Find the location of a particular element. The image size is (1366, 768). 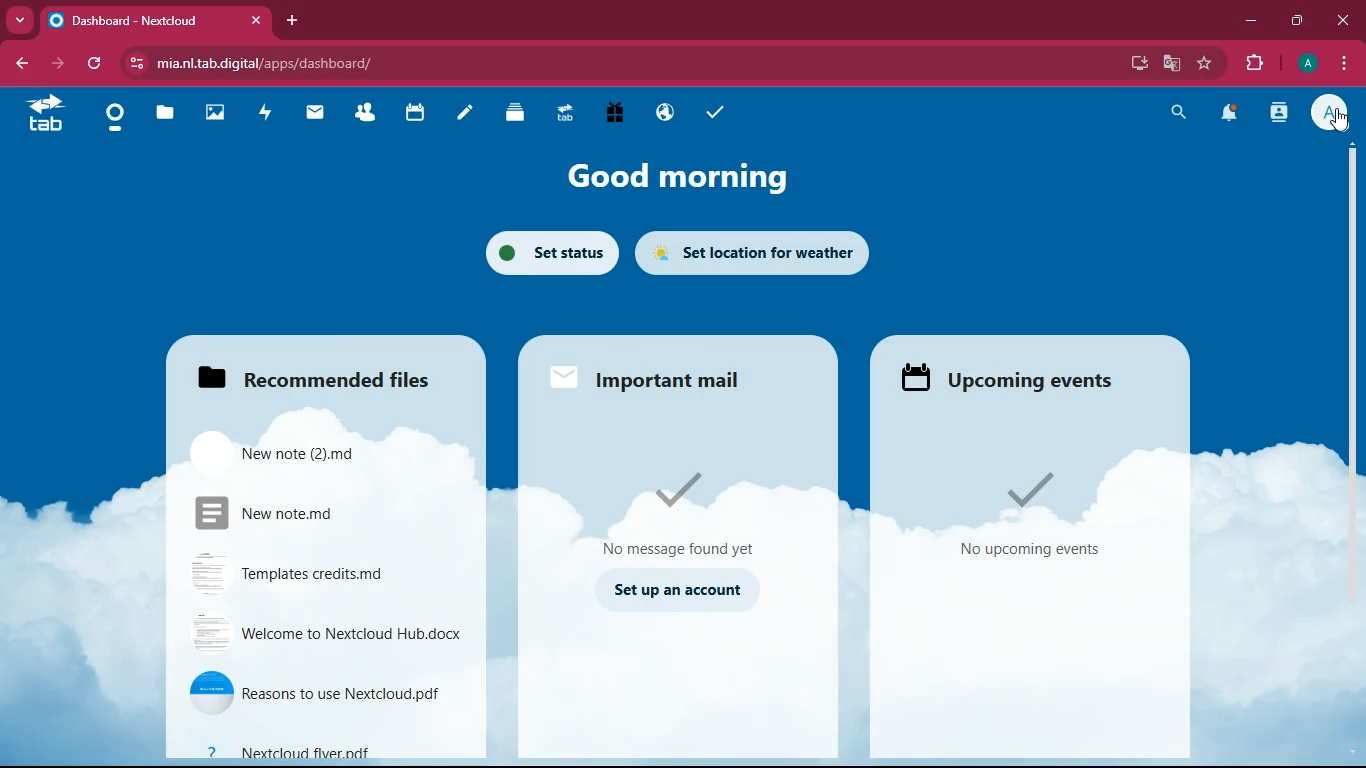

maximize is located at coordinates (1299, 17).